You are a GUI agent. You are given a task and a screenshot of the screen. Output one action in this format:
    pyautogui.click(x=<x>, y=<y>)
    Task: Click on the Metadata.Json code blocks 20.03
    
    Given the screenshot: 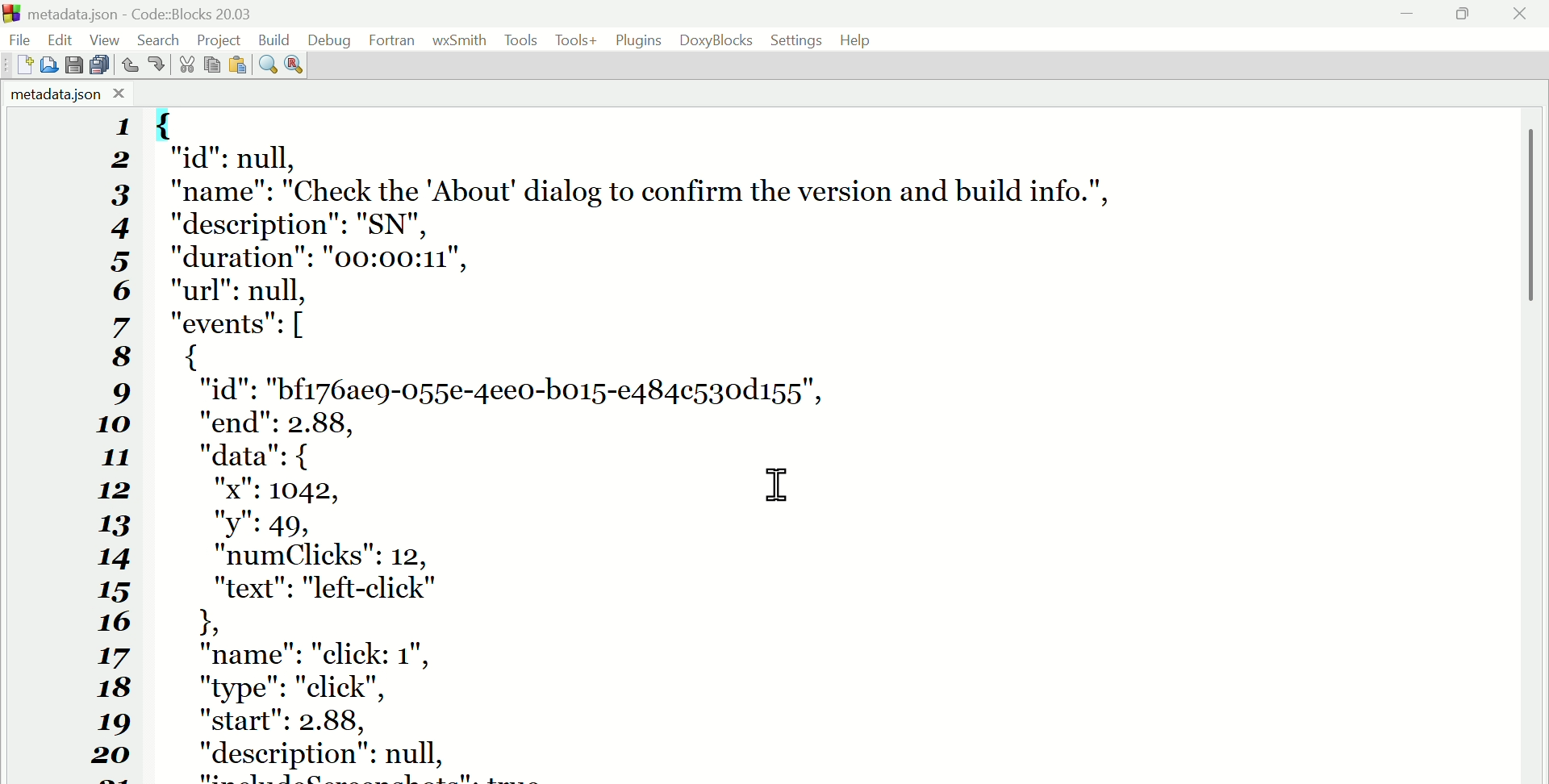 What is the action you would take?
    pyautogui.click(x=136, y=14)
    